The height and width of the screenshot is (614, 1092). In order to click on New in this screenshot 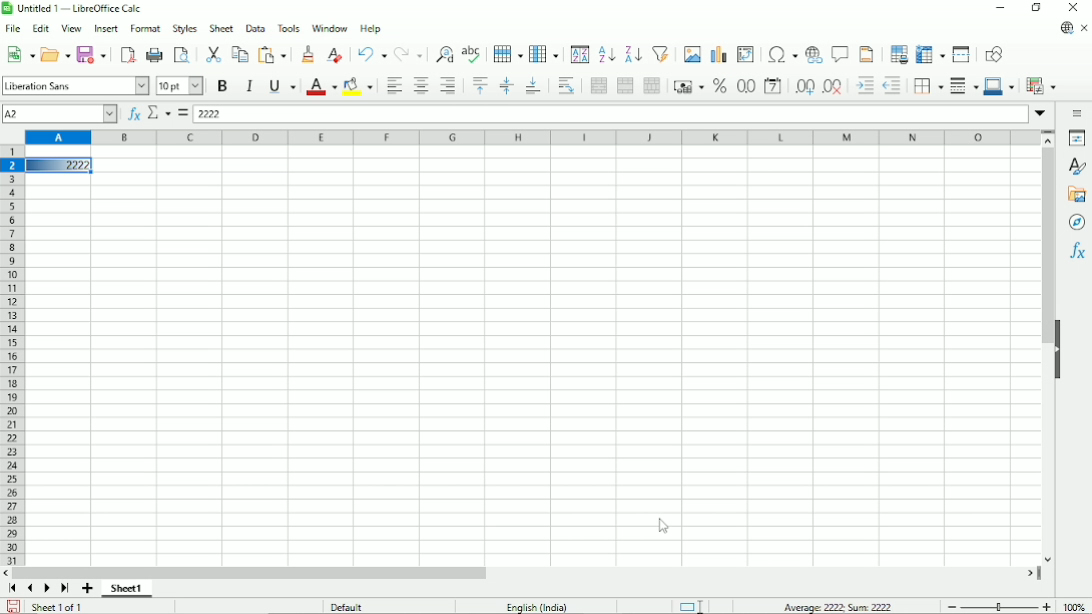, I will do `click(19, 54)`.